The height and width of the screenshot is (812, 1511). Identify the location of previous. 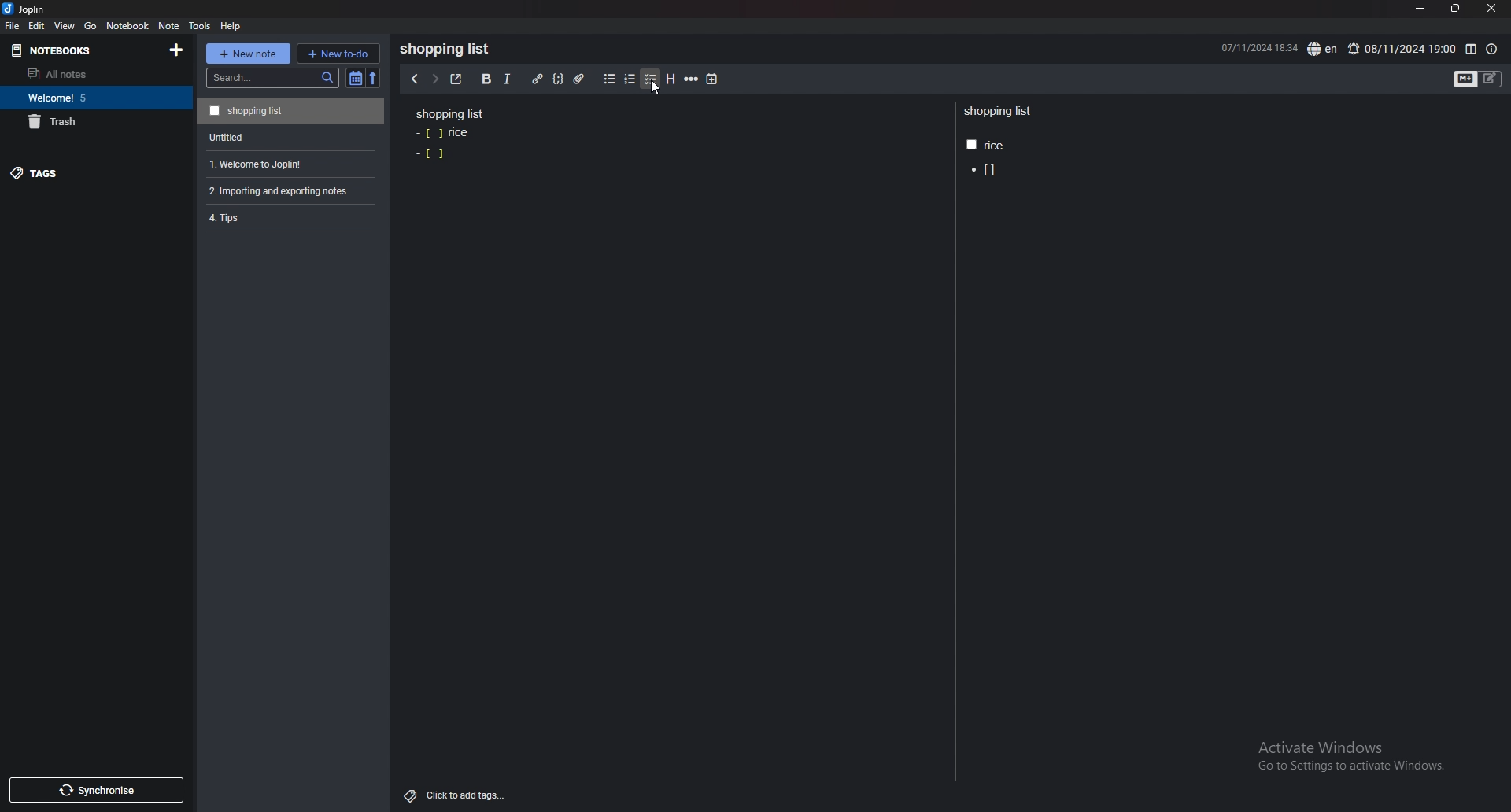
(413, 79).